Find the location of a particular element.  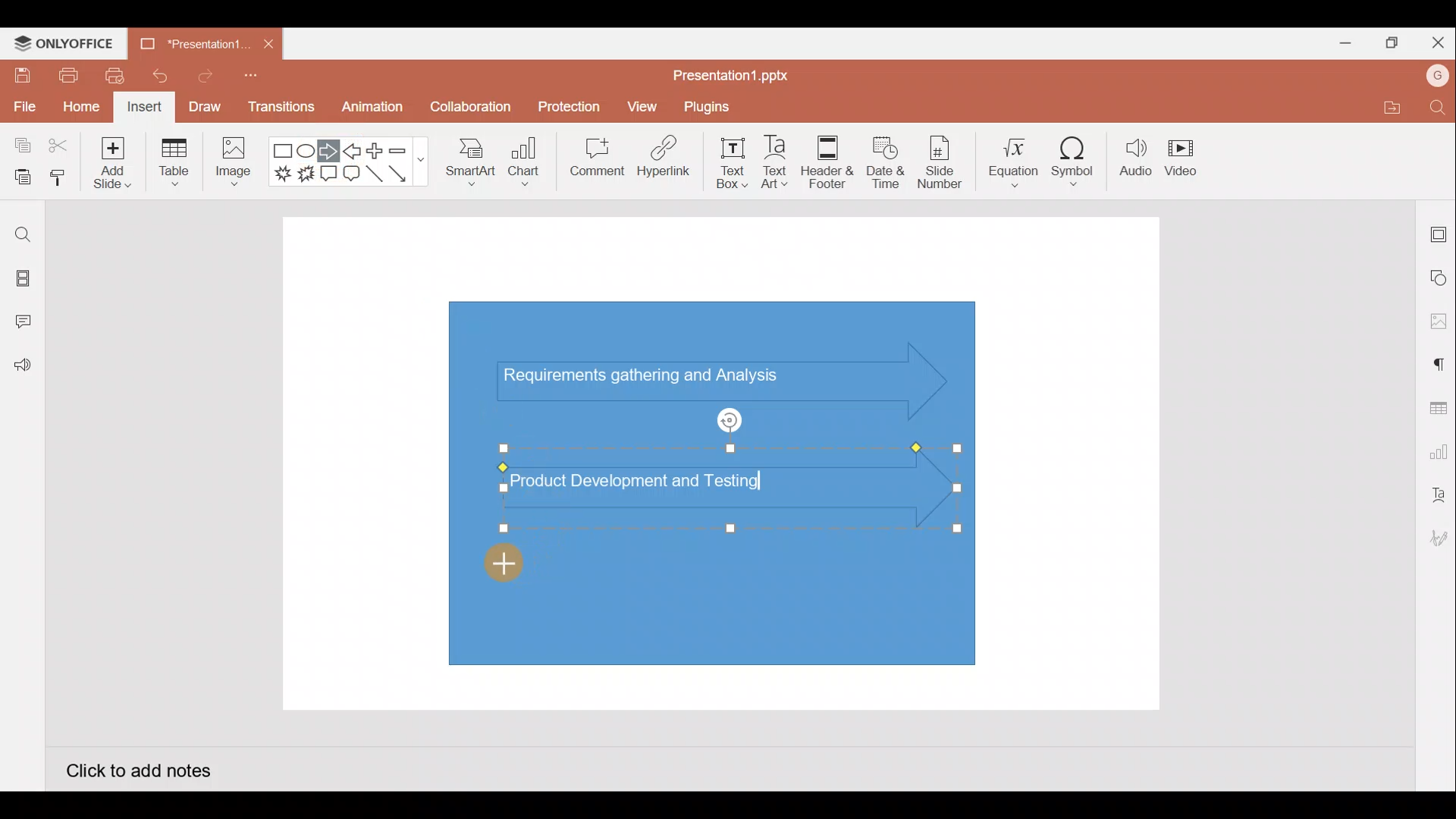

Text (Requirements gathering and Analysis) in arrow shape is located at coordinates (654, 378).